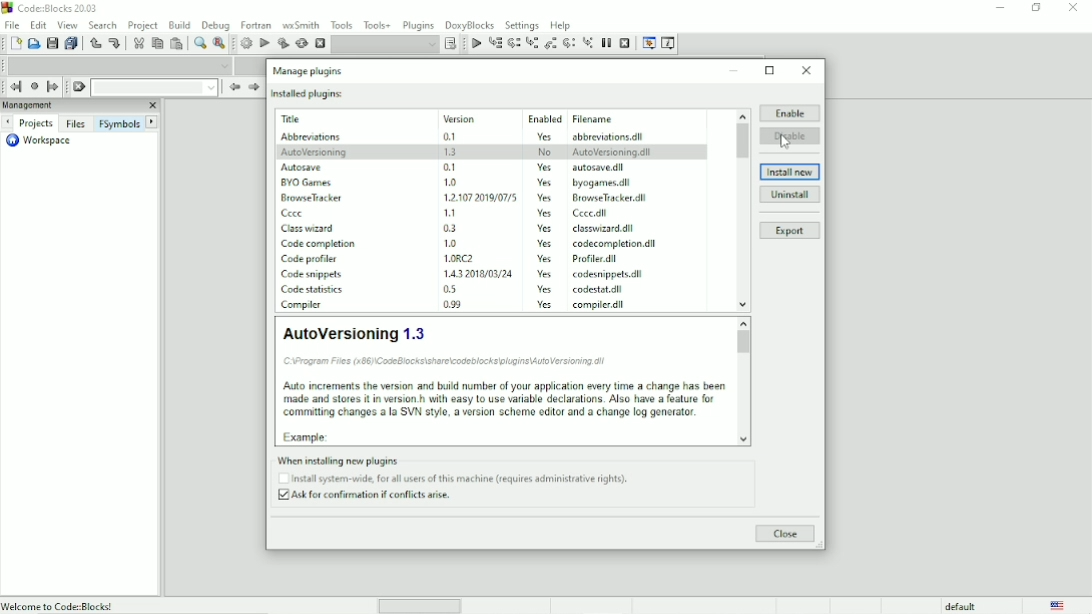  What do you see at coordinates (295, 119) in the screenshot?
I see `Title` at bounding box center [295, 119].